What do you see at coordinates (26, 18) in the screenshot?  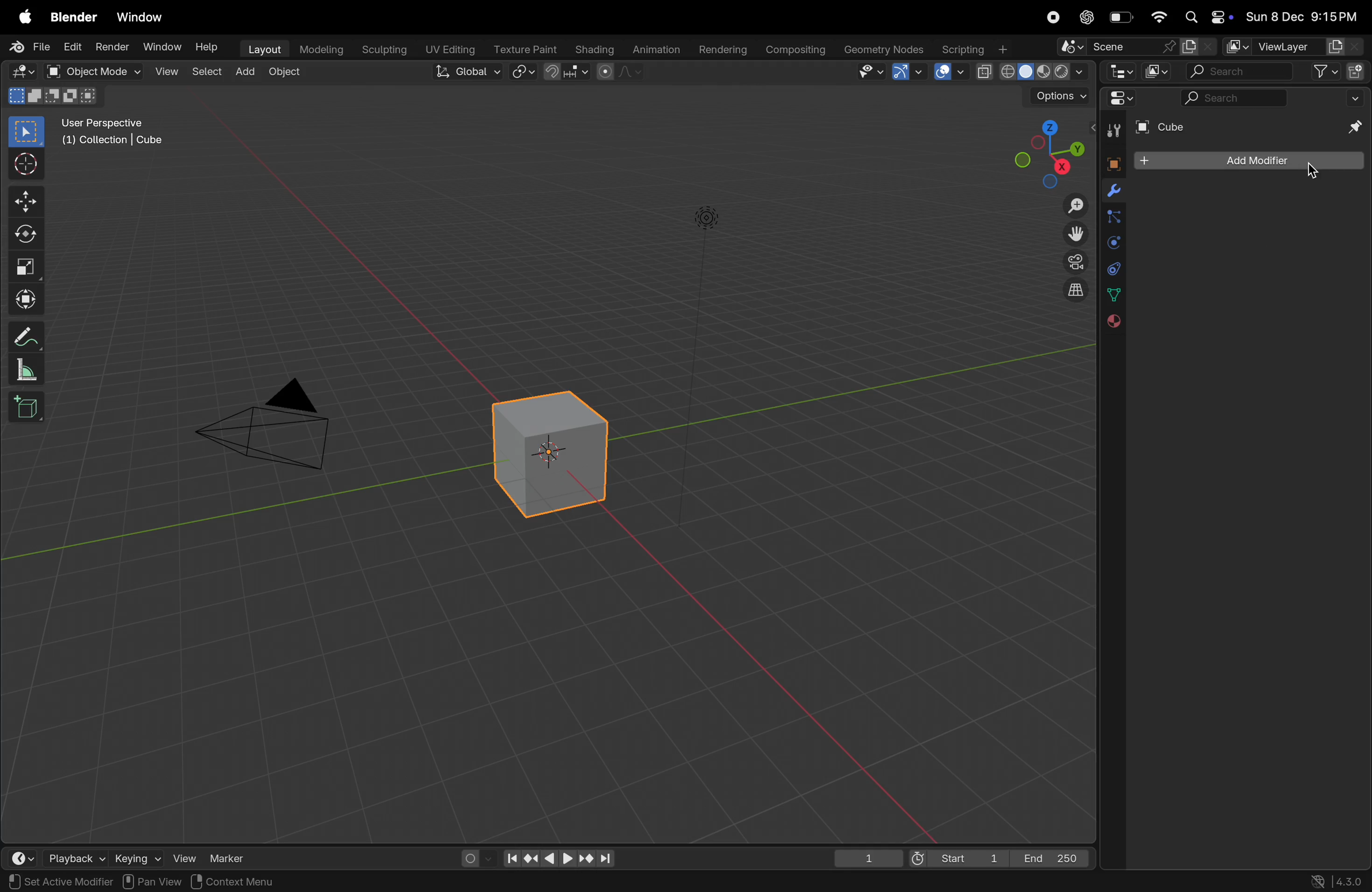 I see `apple menu` at bounding box center [26, 18].